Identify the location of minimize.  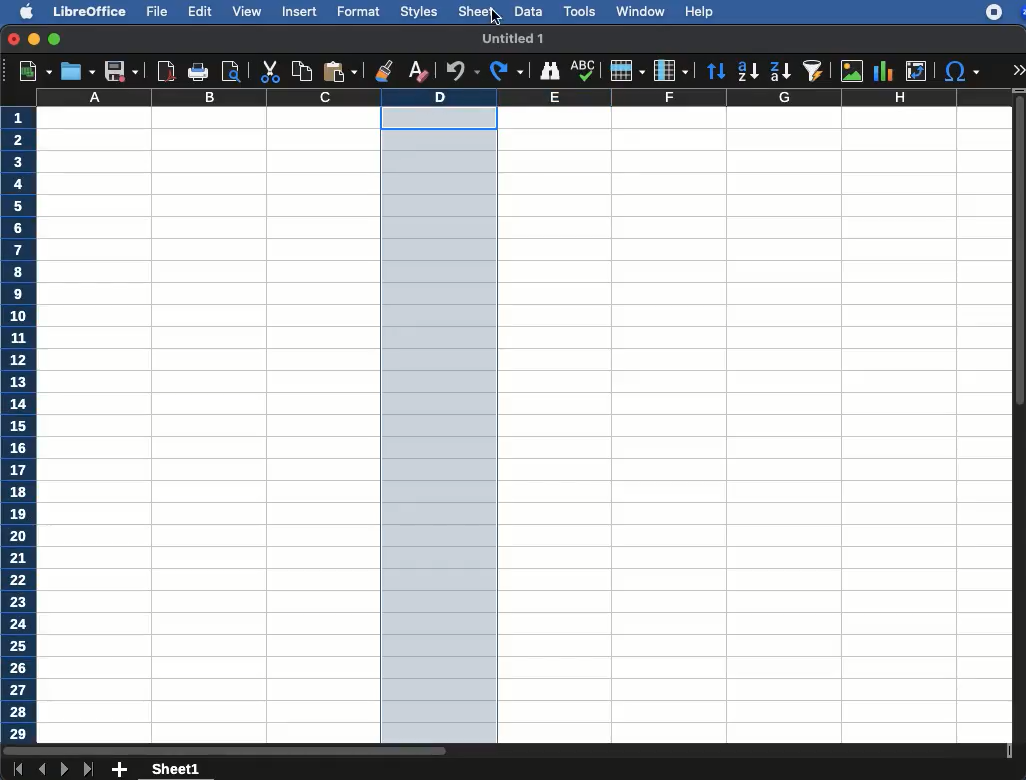
(35, 39).